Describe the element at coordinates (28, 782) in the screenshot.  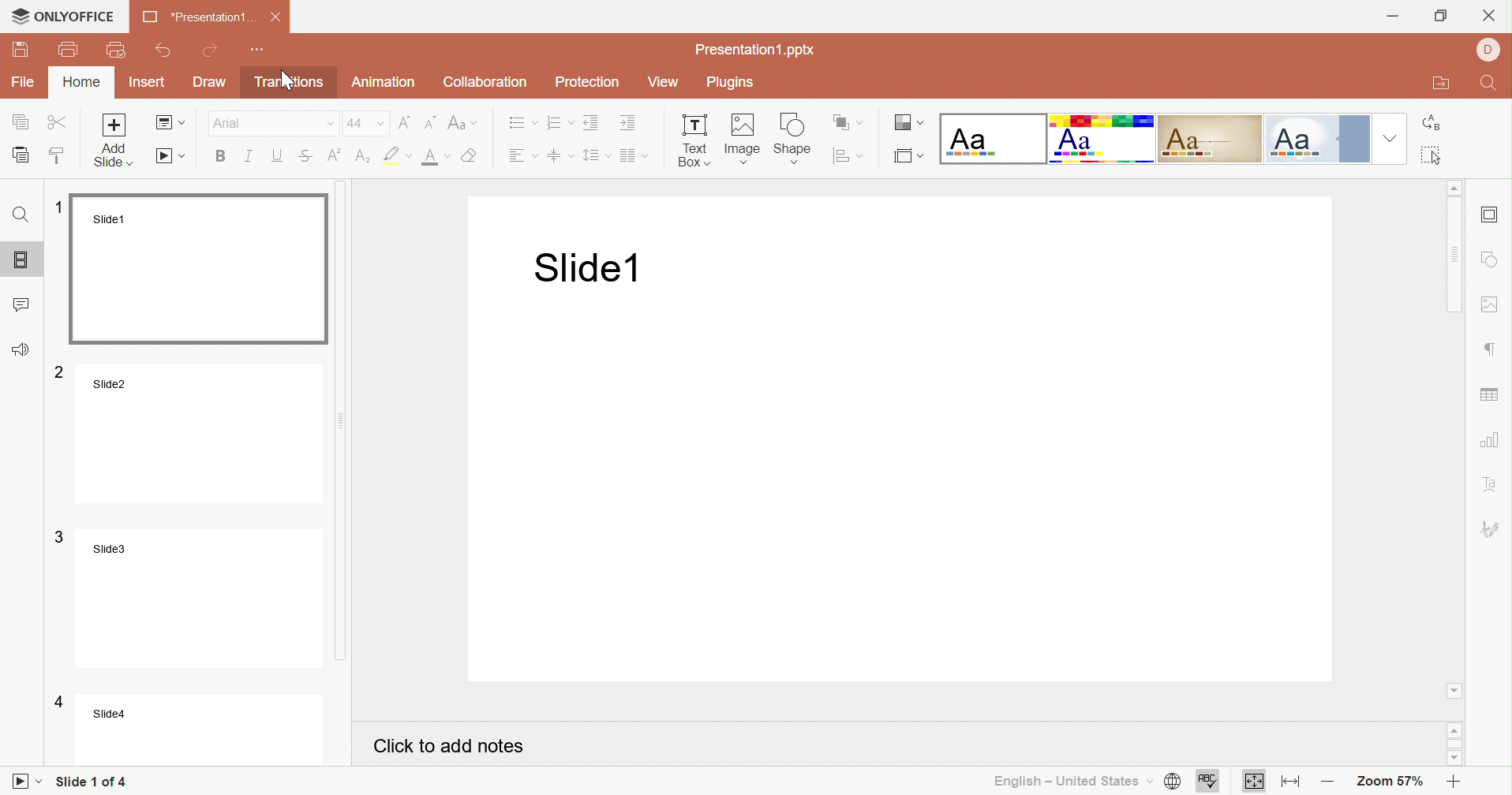
I see `Start slideshow` at that location.